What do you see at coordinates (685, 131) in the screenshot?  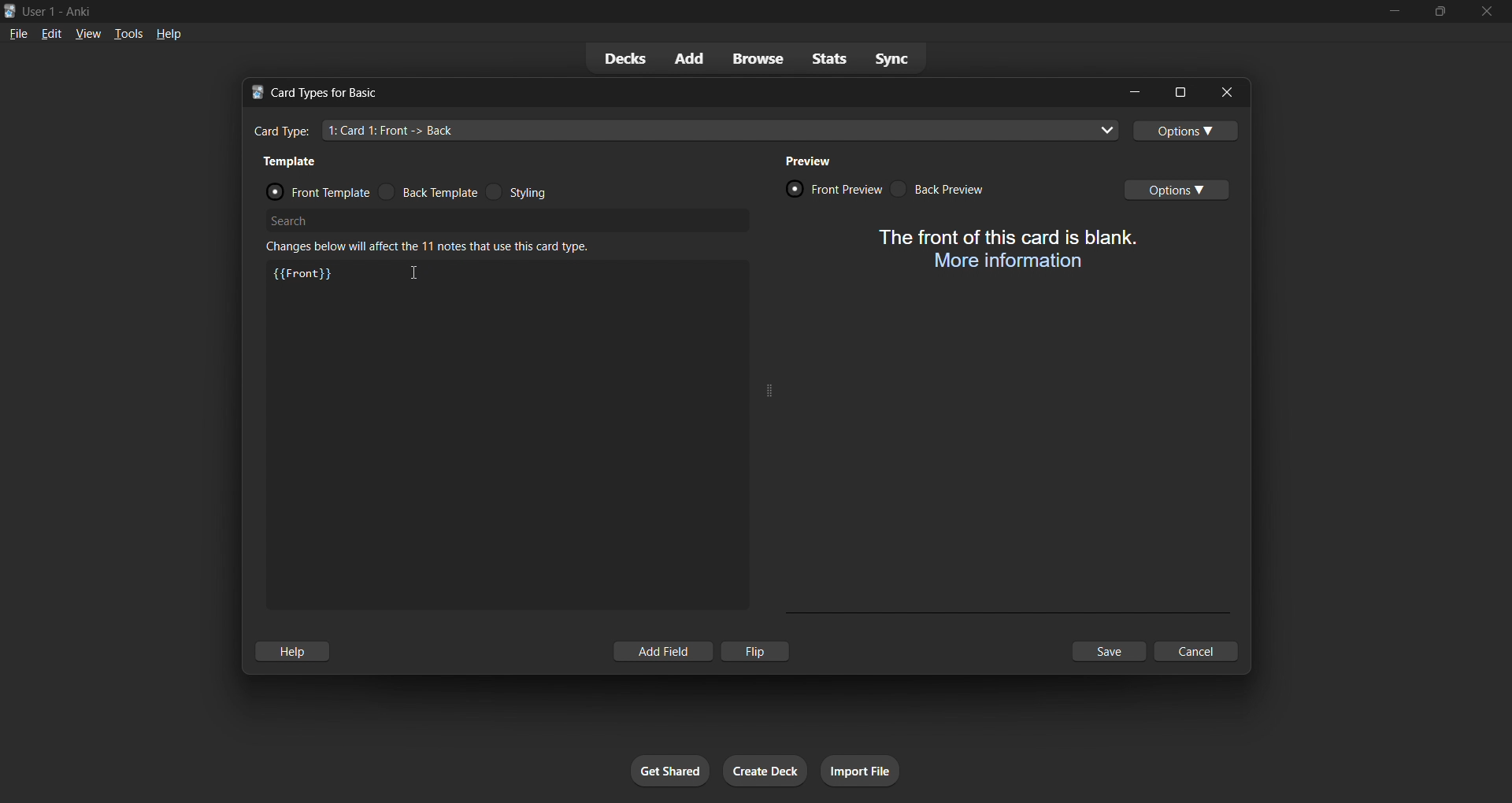 I see `card type input field` at bounding box center [685, 131].